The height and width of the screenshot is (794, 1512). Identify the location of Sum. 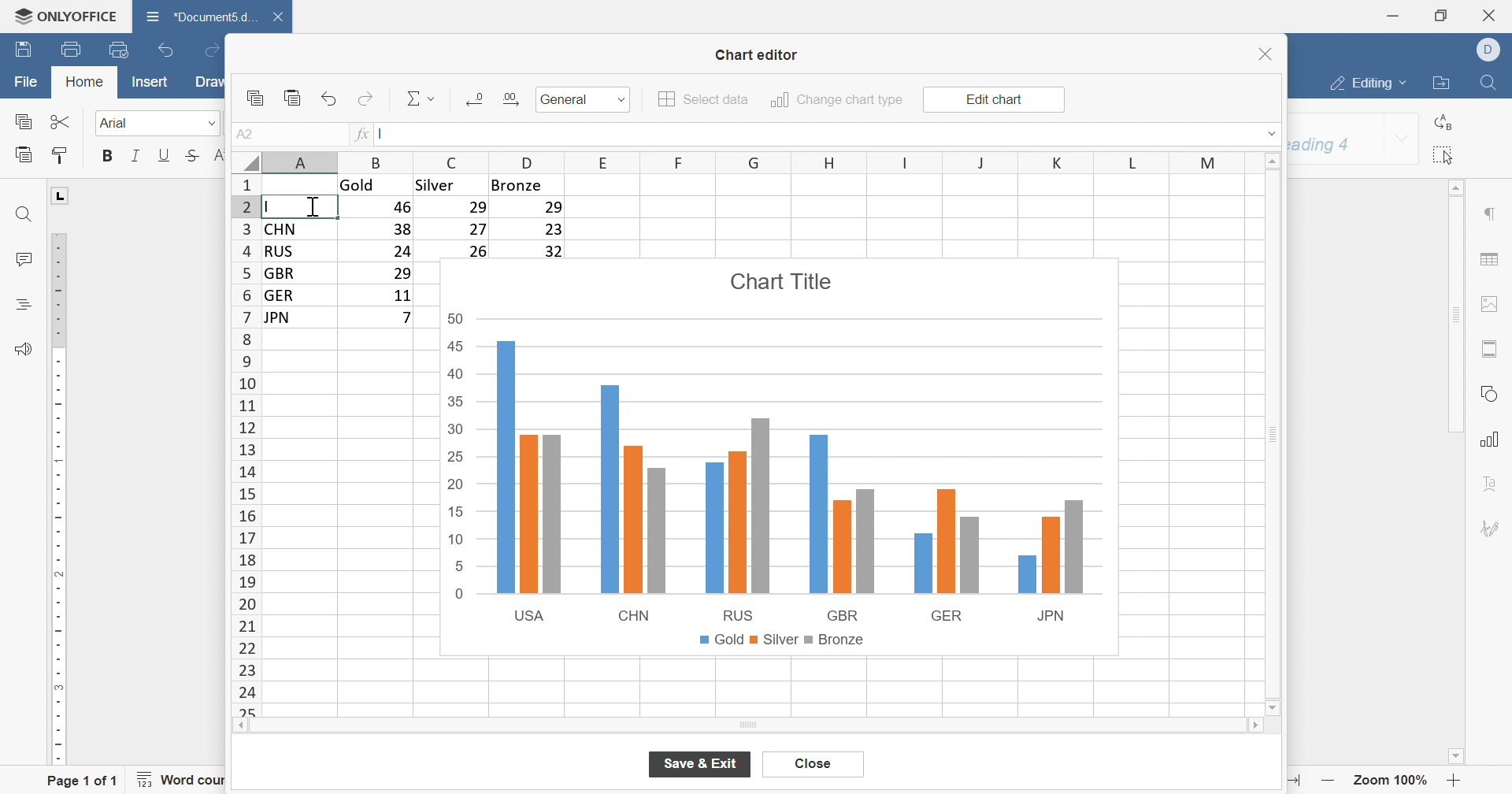
(423, 98).